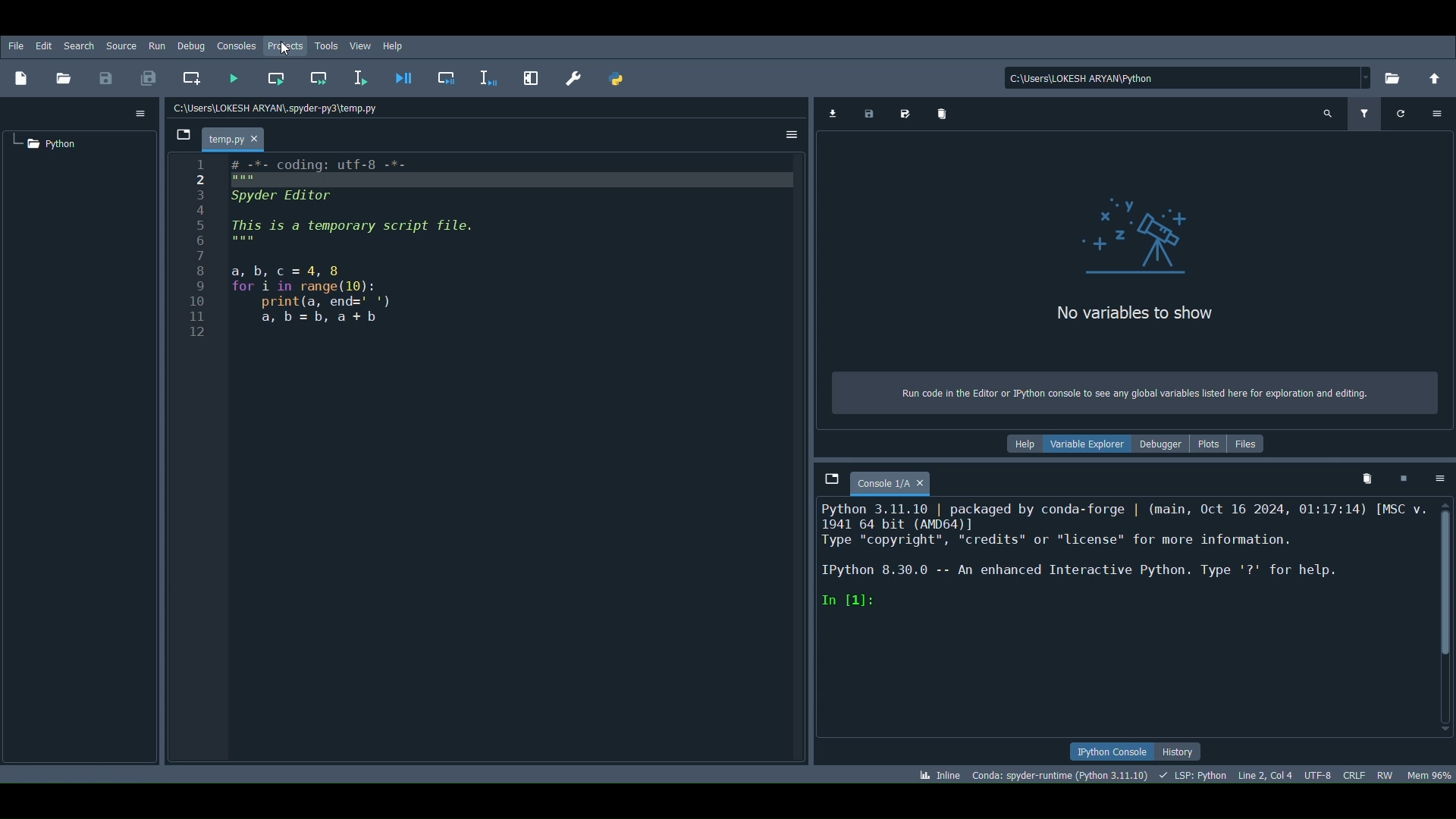 This screenshot has height=819, width=1456. What do you see at coordinates (282, 108) in the screenshot?
I see `File path` at bounding box center [282, 108].